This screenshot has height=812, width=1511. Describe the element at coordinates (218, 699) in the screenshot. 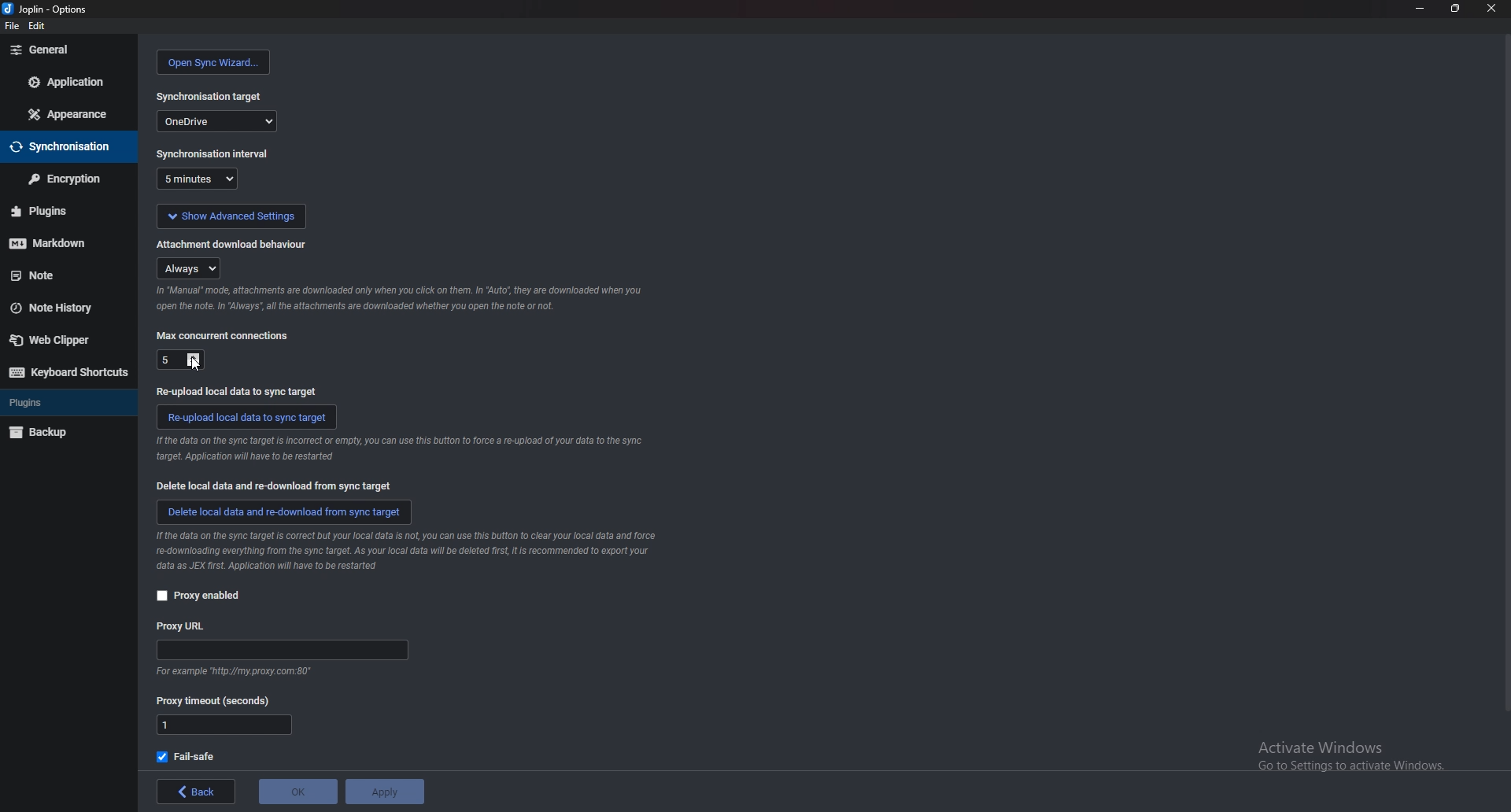

I see `proxy timeout` at that location.